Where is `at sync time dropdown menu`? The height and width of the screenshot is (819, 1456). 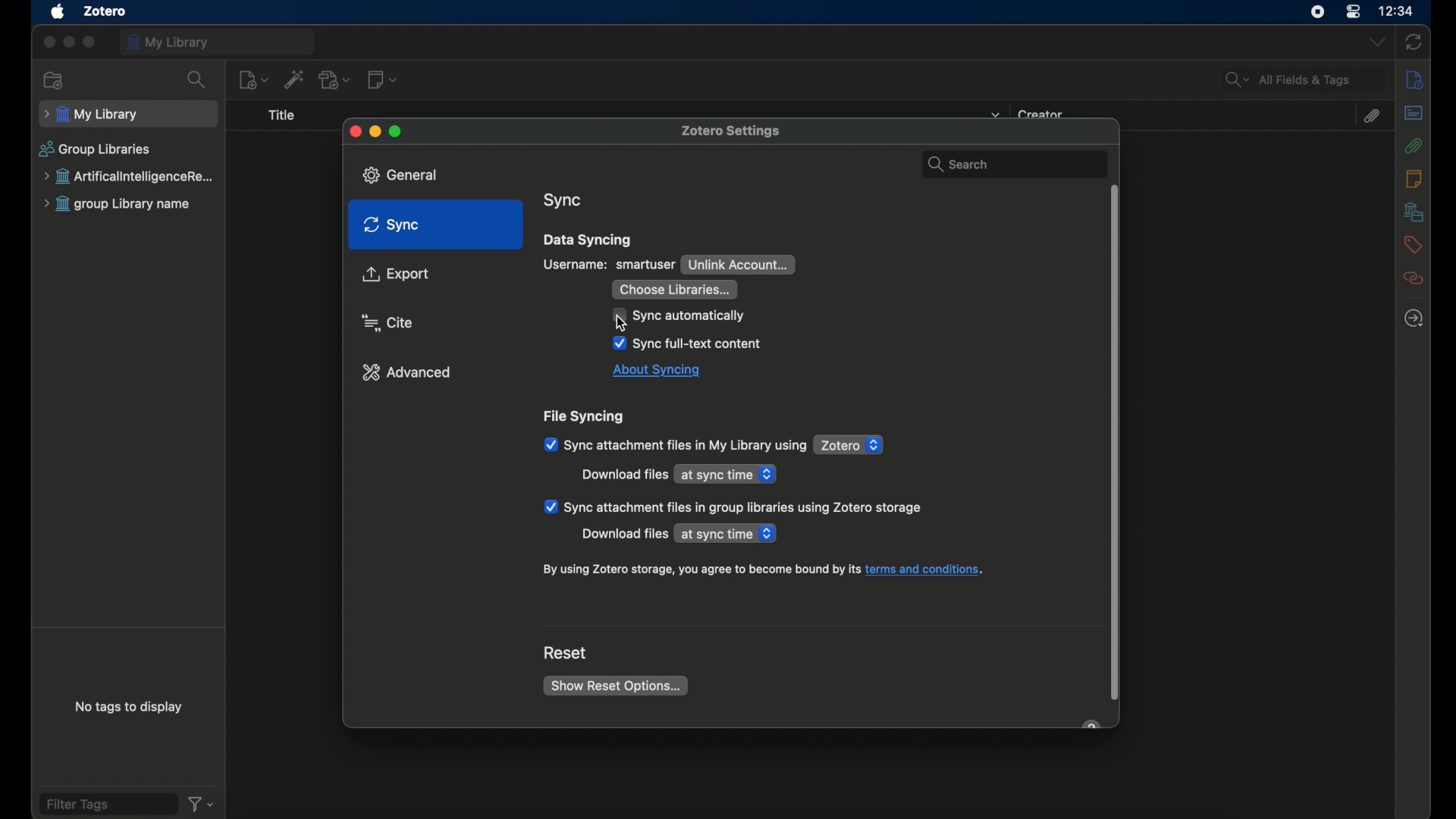 at sync time dropdown menu is located at coordinates (727, 473).